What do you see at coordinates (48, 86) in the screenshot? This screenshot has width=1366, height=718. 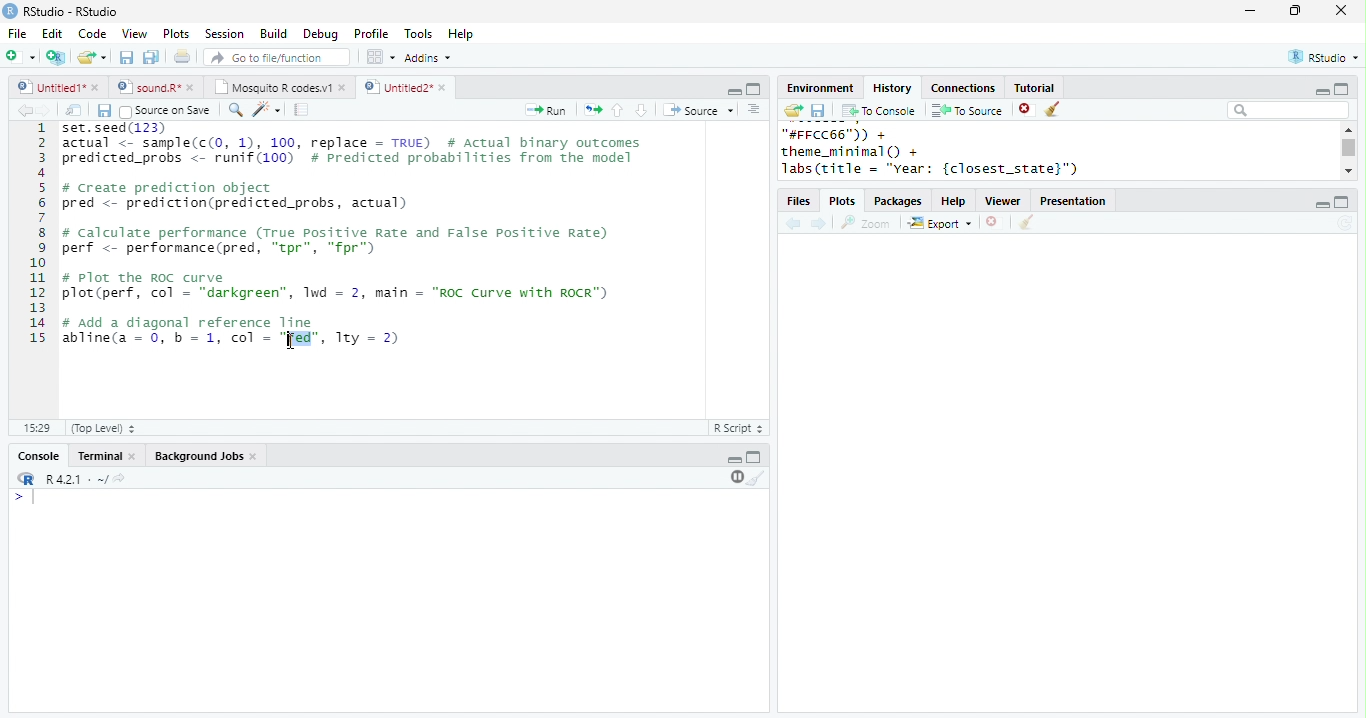 I see `Untitled 1` at bounding box center [48, 86].